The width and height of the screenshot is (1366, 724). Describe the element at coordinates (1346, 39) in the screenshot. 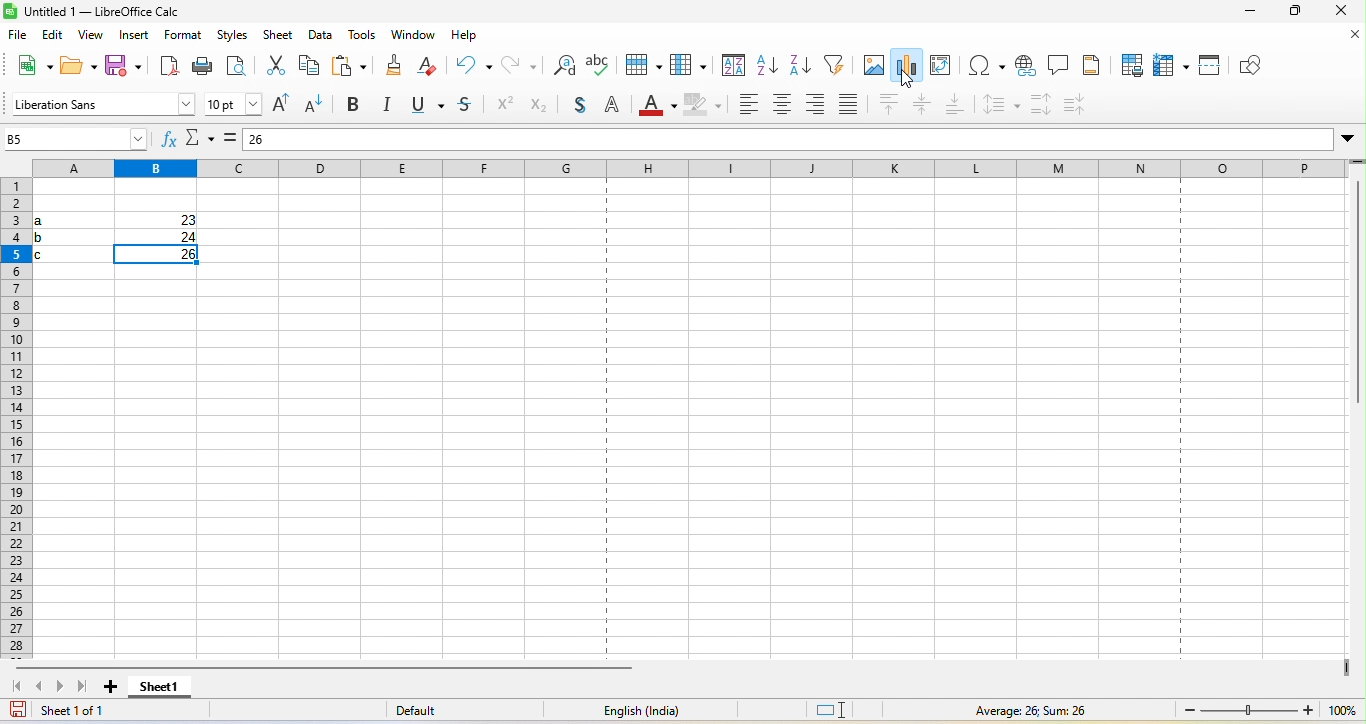

I see `close` at that location.